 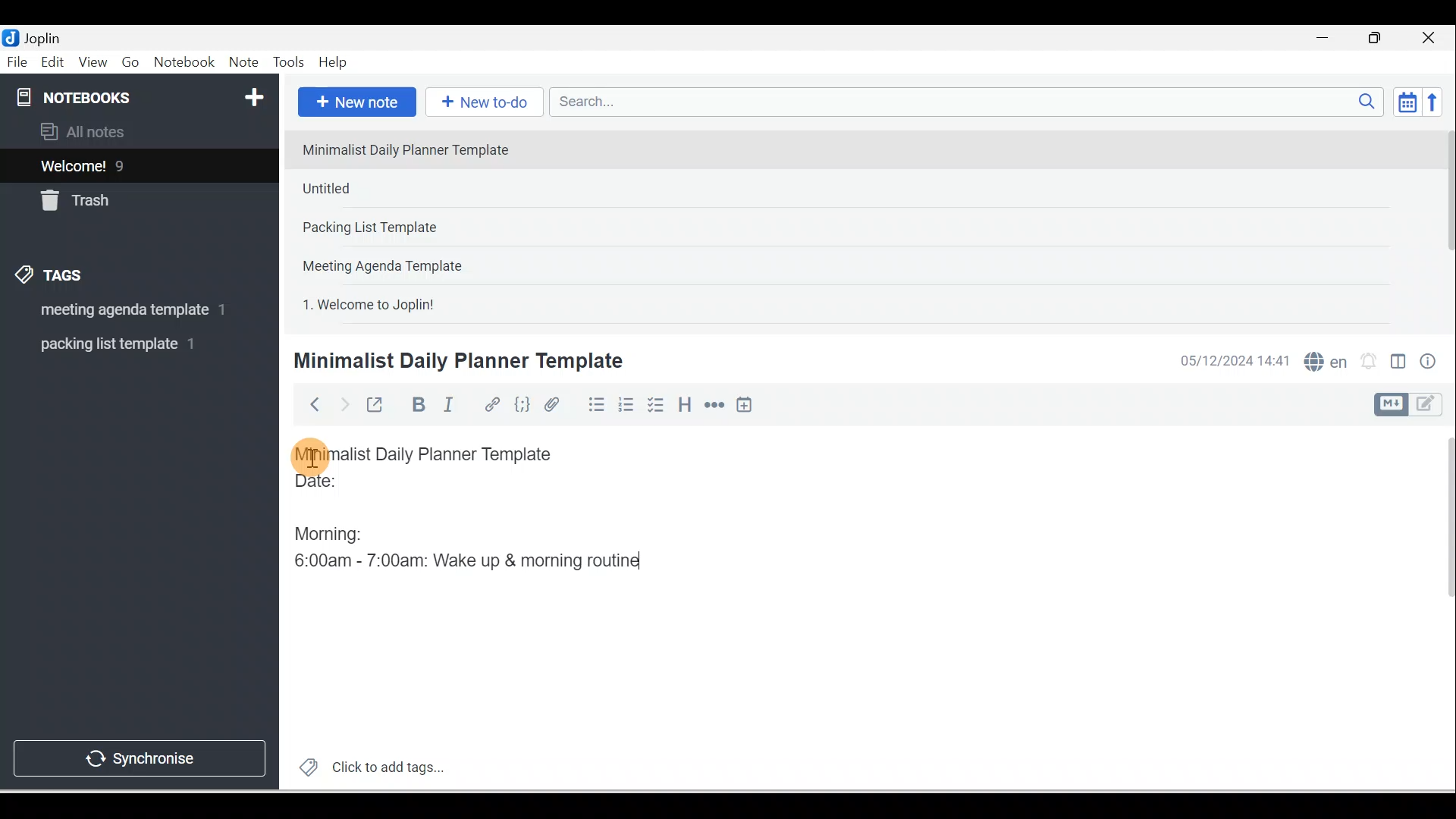 I want to click on Morning:, so click(x=340, y=530).